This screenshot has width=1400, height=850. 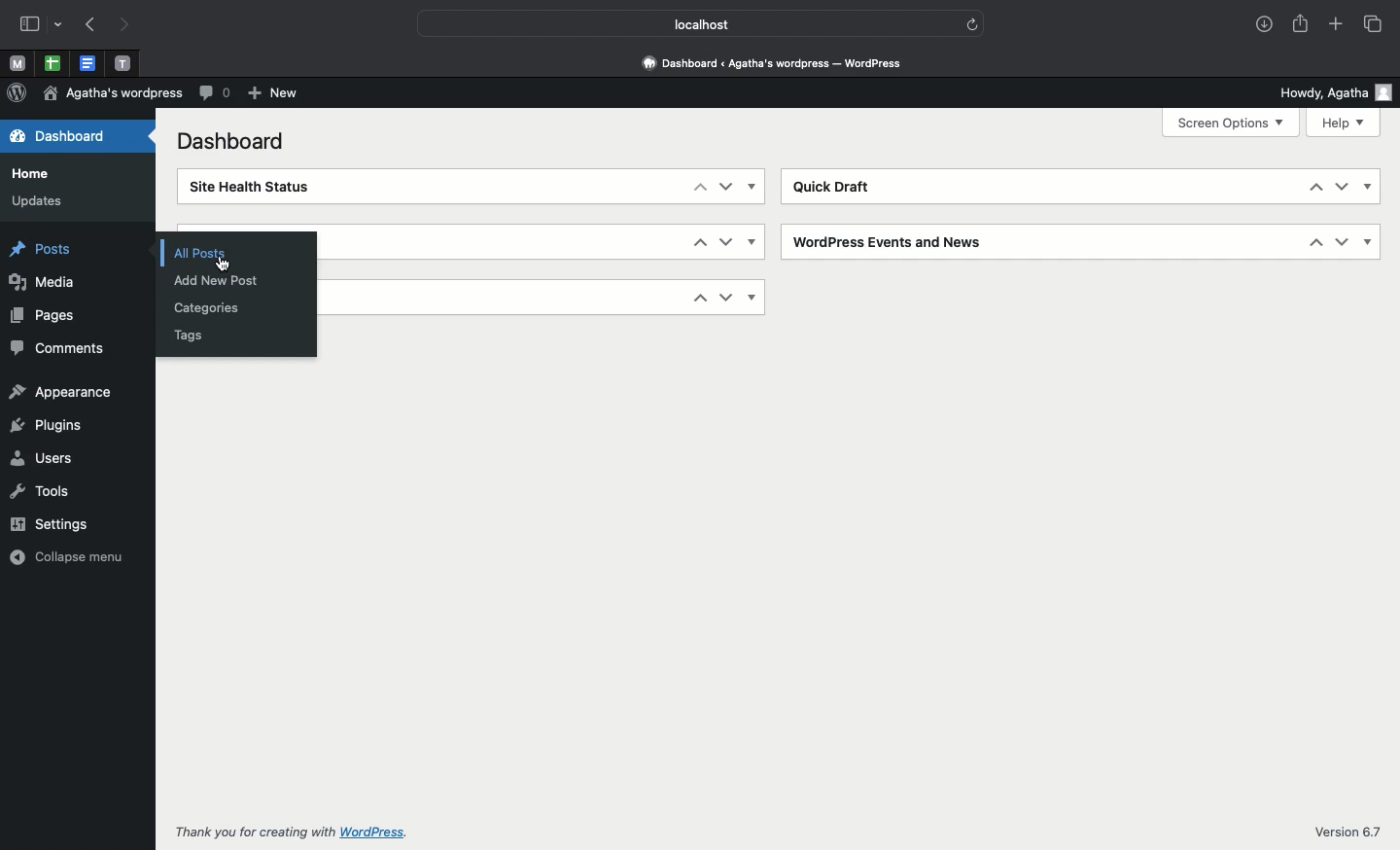 I want to click on Howdy user, so click(x=1333, y=89).